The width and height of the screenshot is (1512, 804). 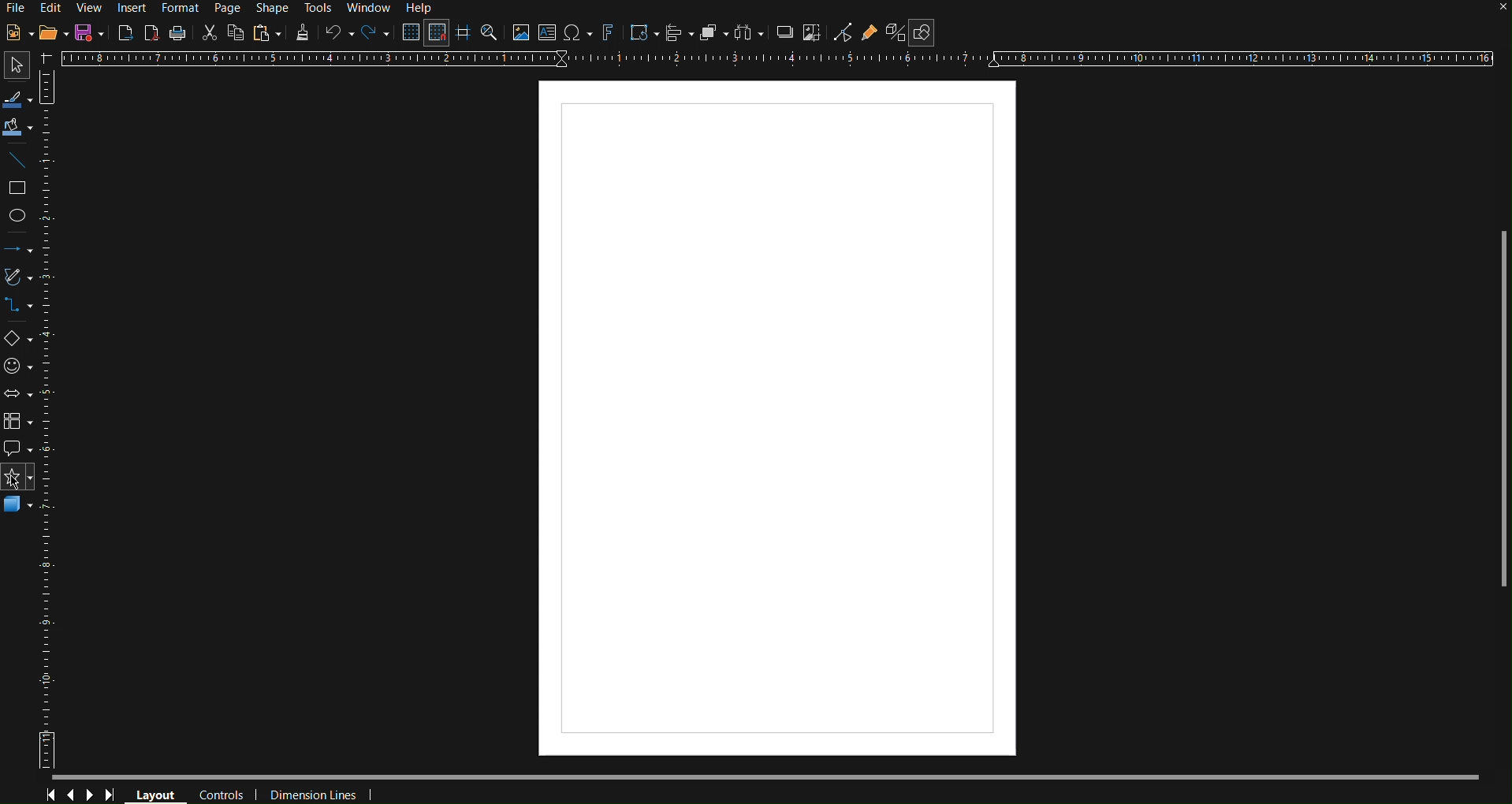 I want to click on Page, so click(x=227, y=7).